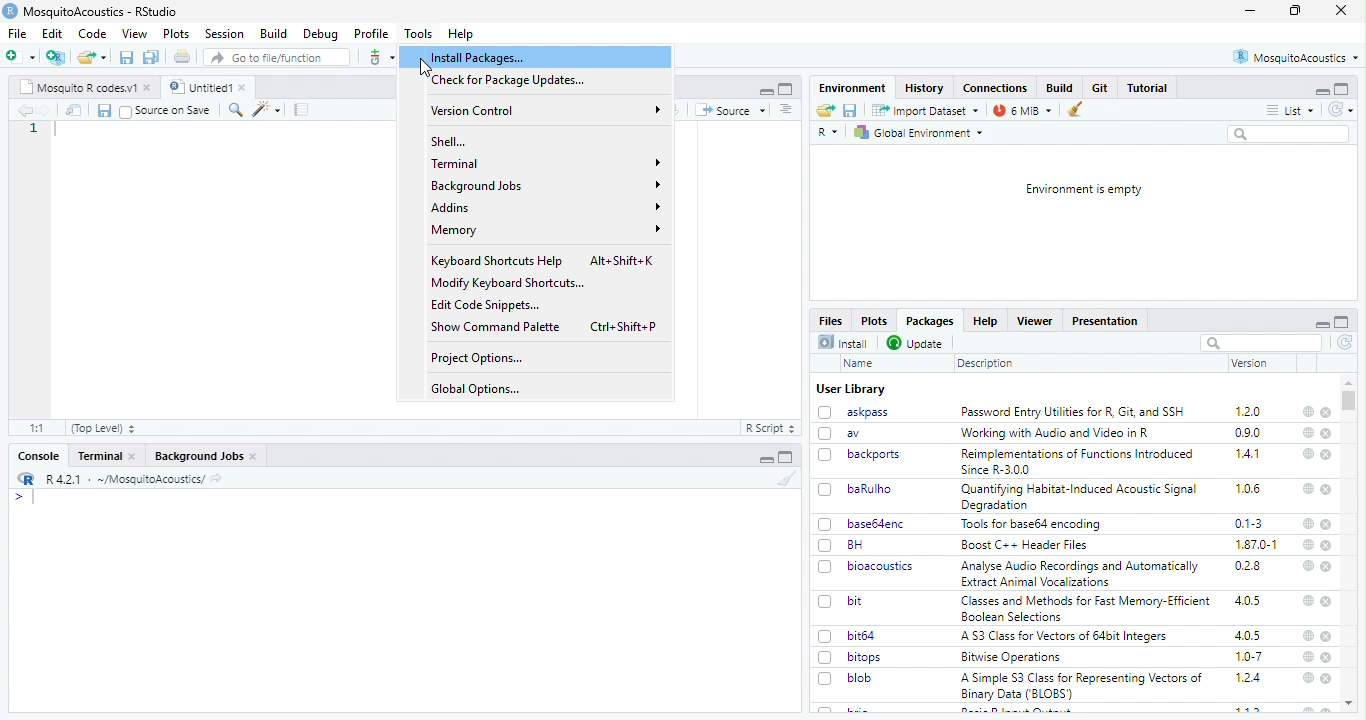 The height and width of the screenshot is (720, 1366). I want to click on Alt+Shift+K, so click(624, 259).